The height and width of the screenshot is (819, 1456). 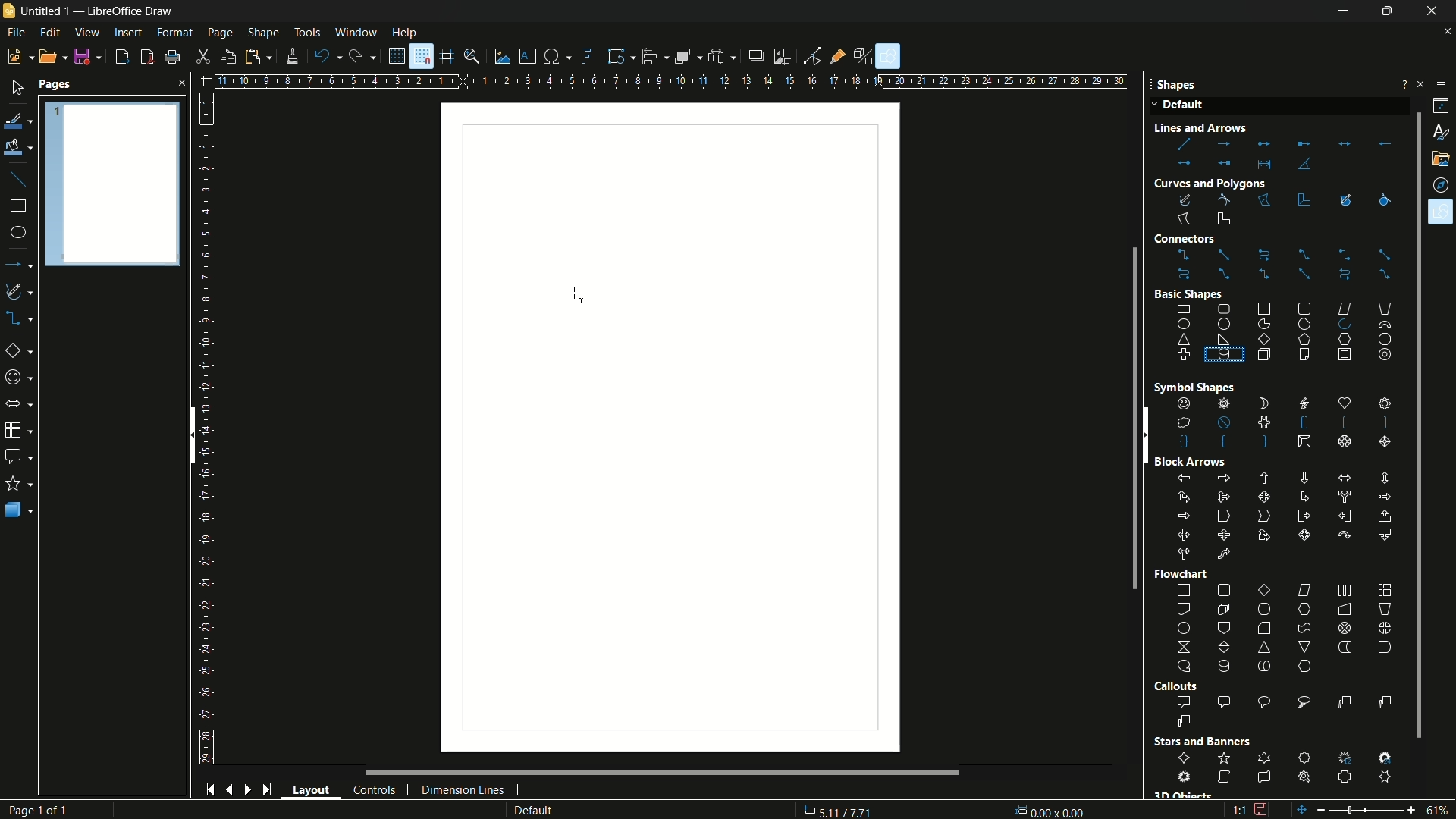 I want to click on basic shapes, so click(x=1285, y=331).